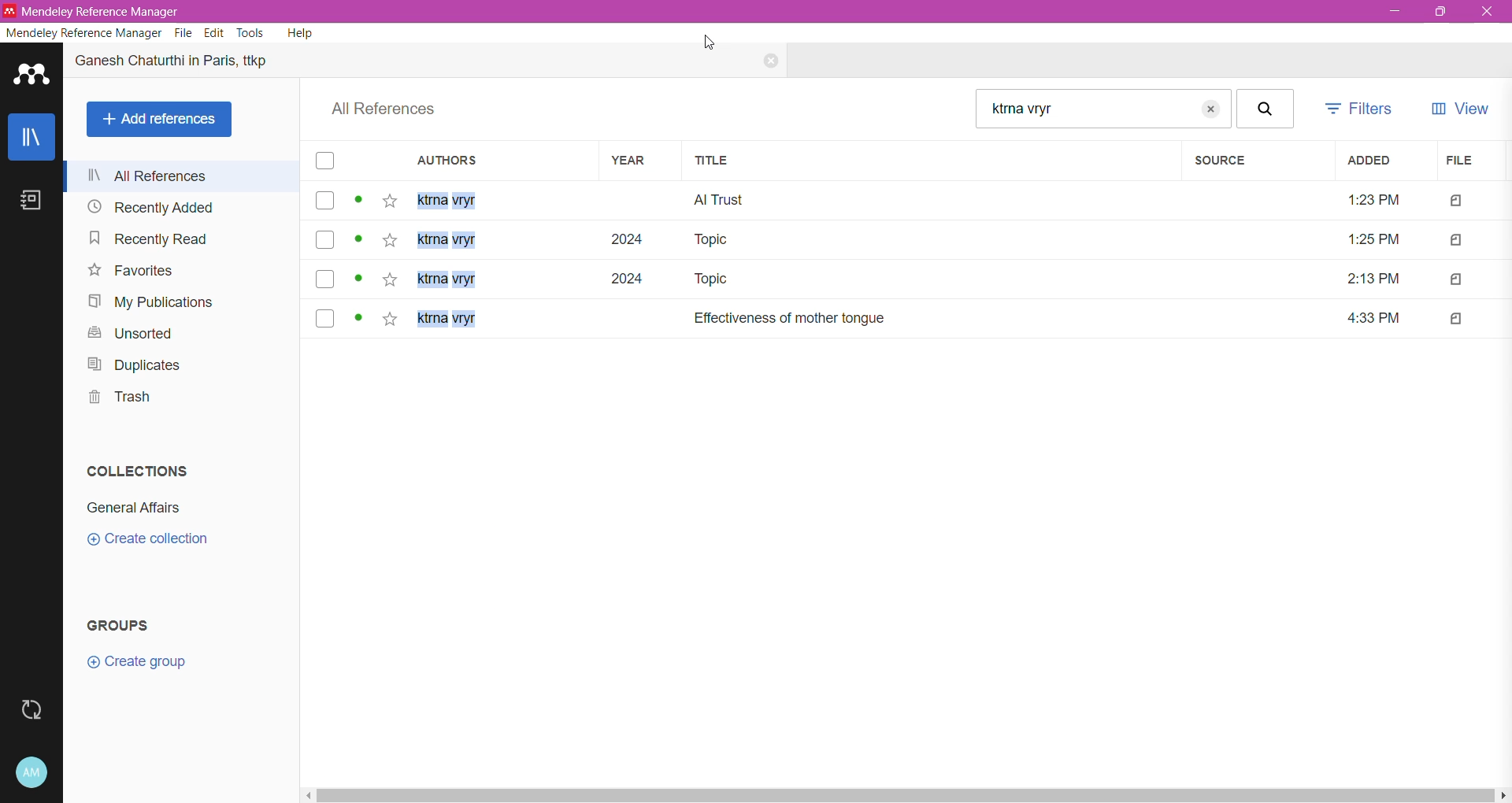 The image size is (1512, 803). I want to click on select reference , so click(324, 240).